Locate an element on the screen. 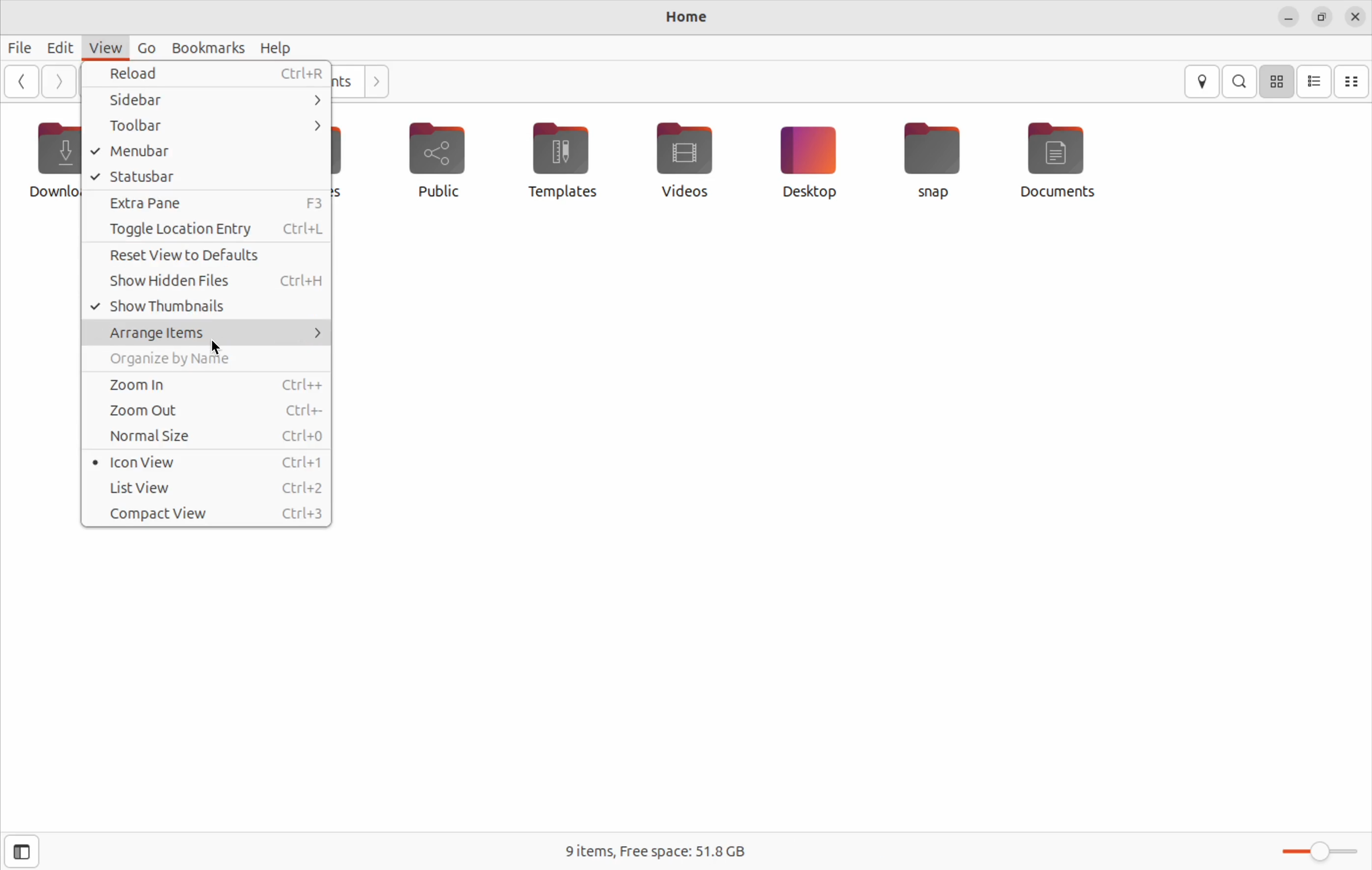  zoom out is located at coordinates (206, 411).